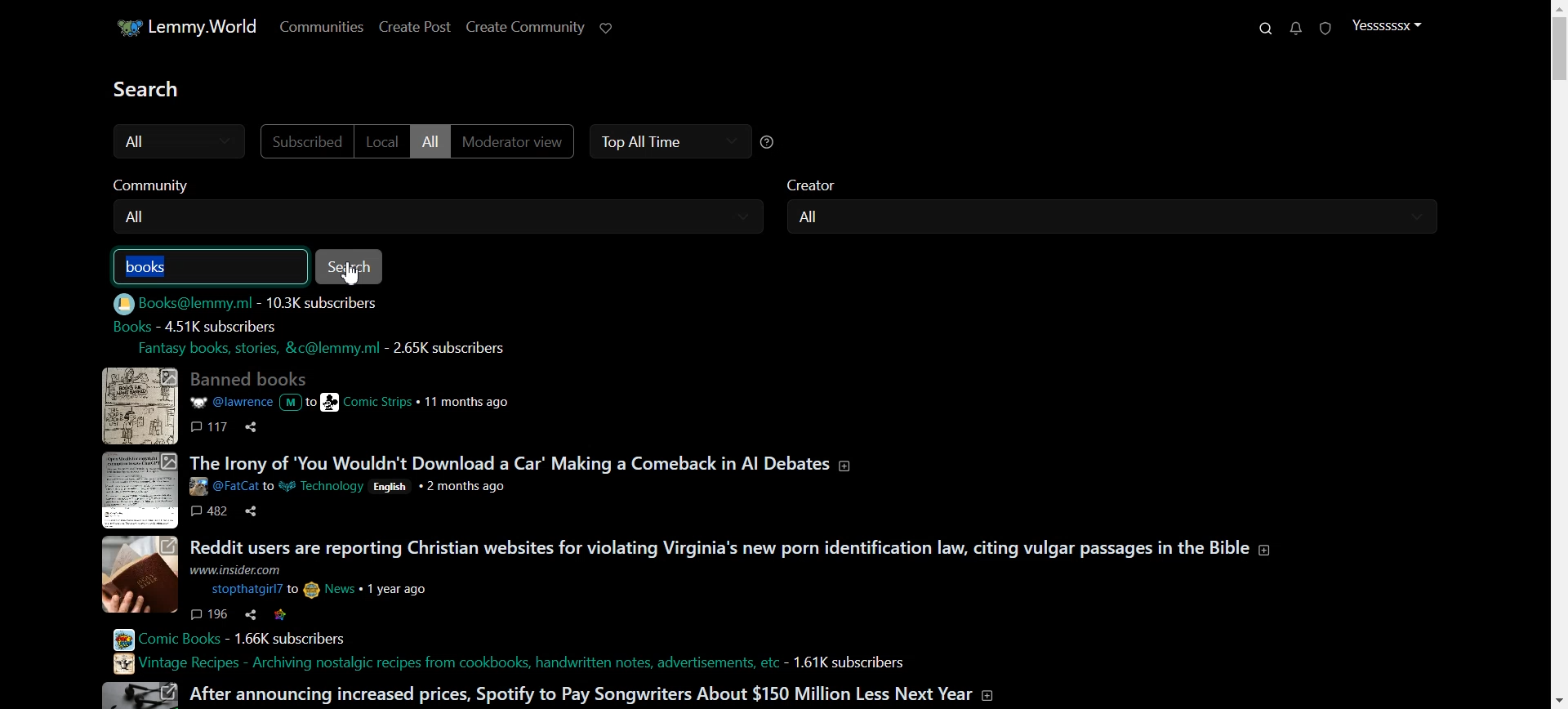  I want to click on comments, so click(210, 613).